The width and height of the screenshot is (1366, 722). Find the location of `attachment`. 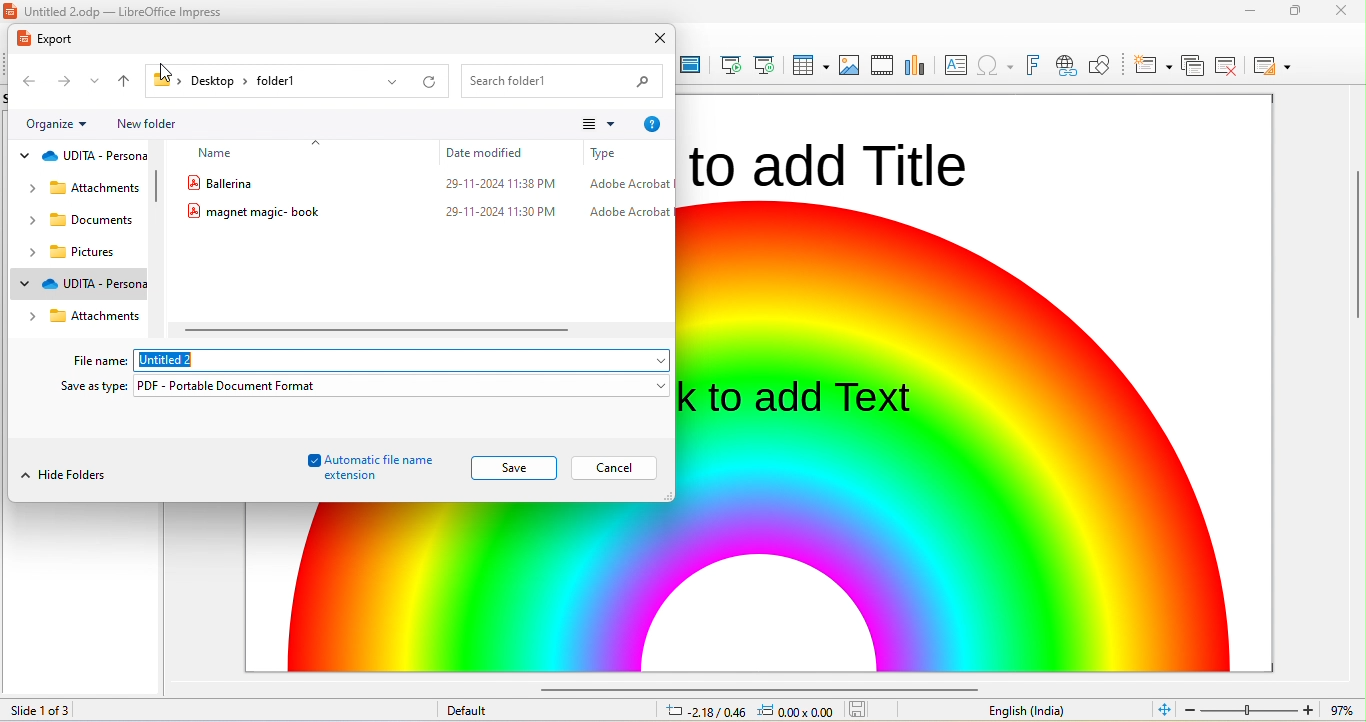

attachment is located at coordinates (96, 188).